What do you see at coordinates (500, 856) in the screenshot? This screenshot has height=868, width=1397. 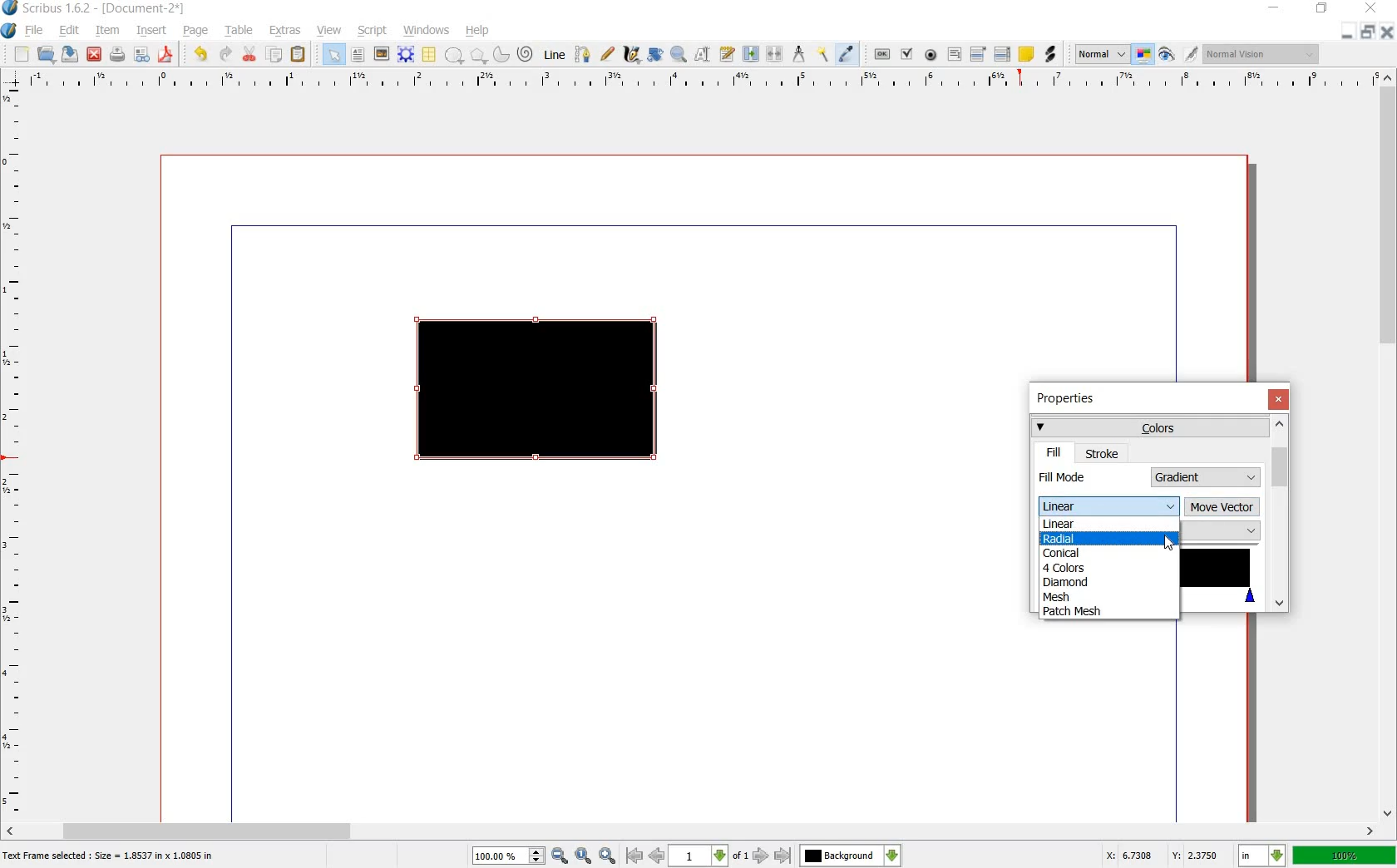 I see `100%` at bounding box center [500, 856].